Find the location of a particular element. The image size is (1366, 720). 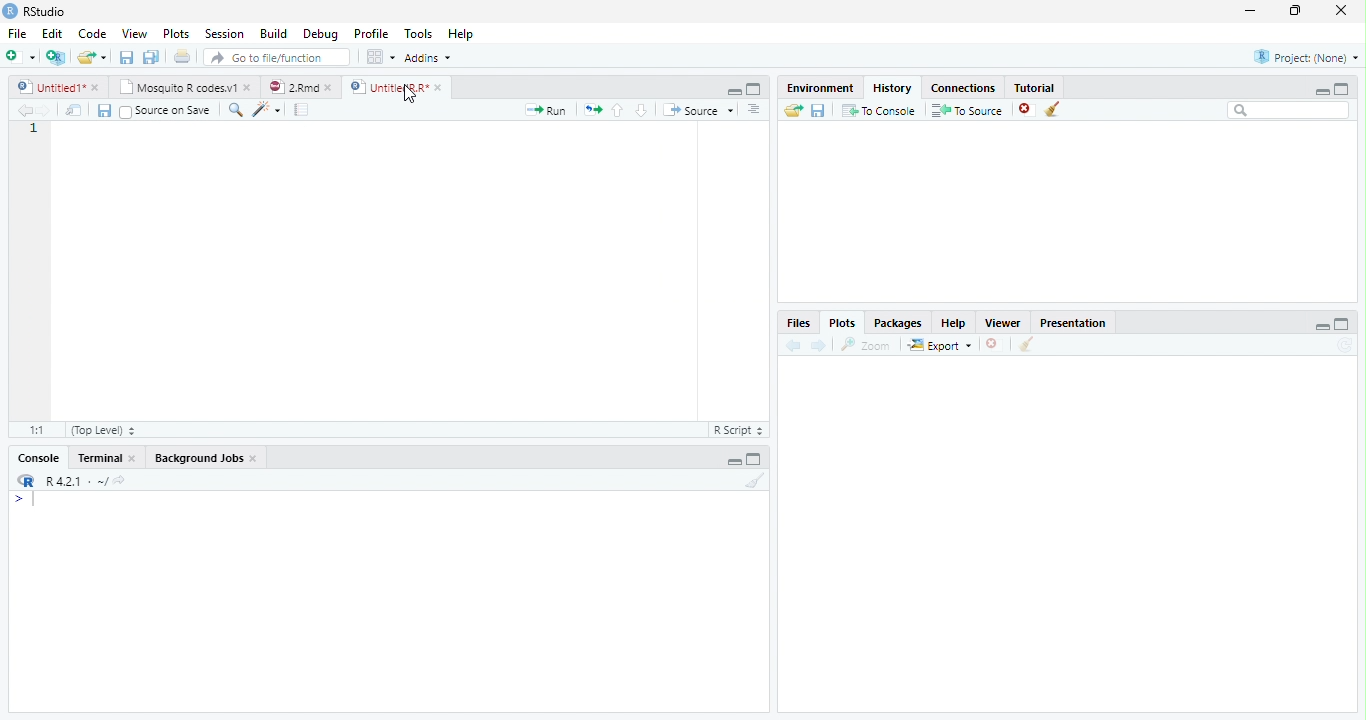

Build is located at coordinates (272, 33).